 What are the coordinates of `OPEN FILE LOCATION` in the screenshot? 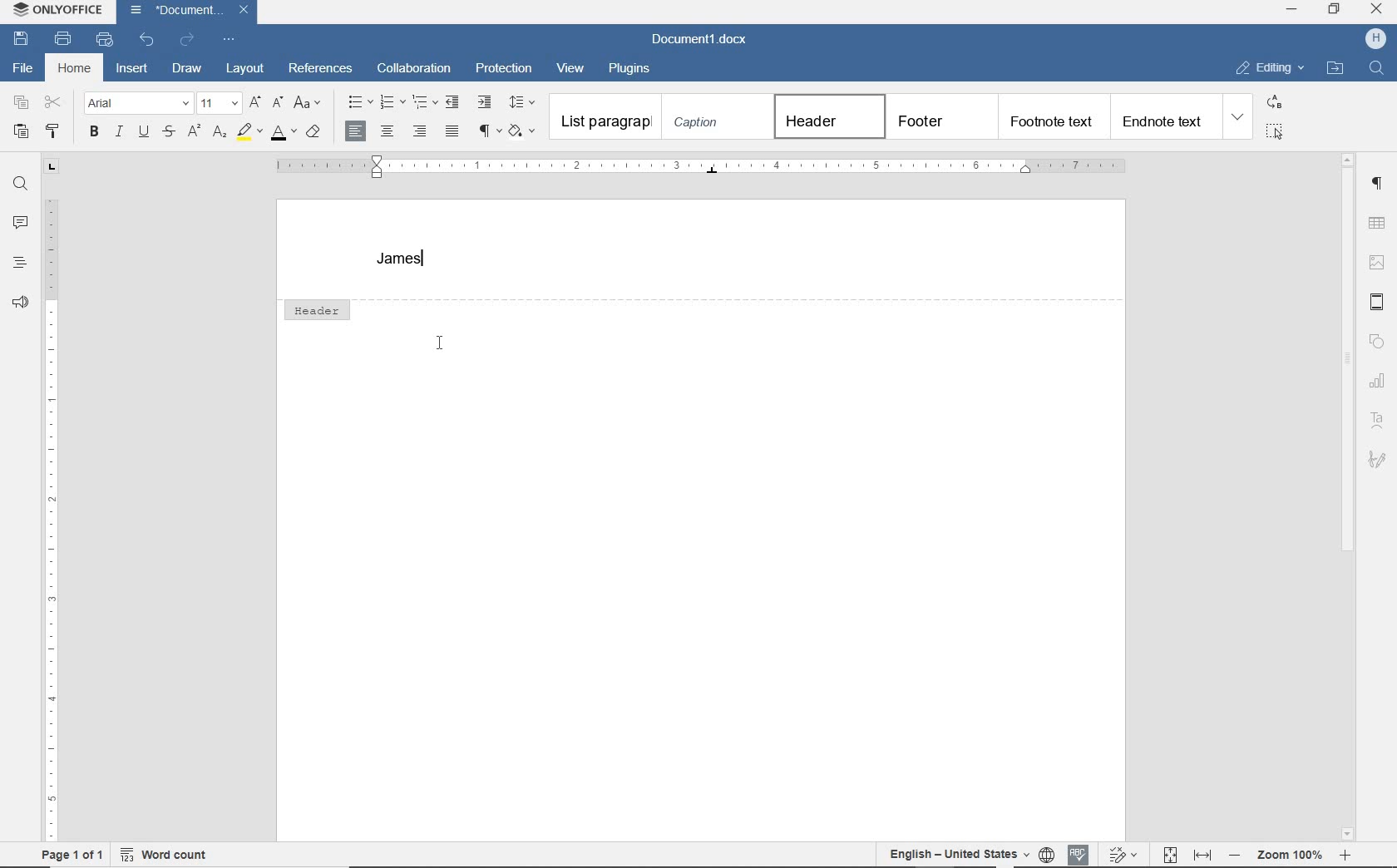 It's located at (1335, 68).